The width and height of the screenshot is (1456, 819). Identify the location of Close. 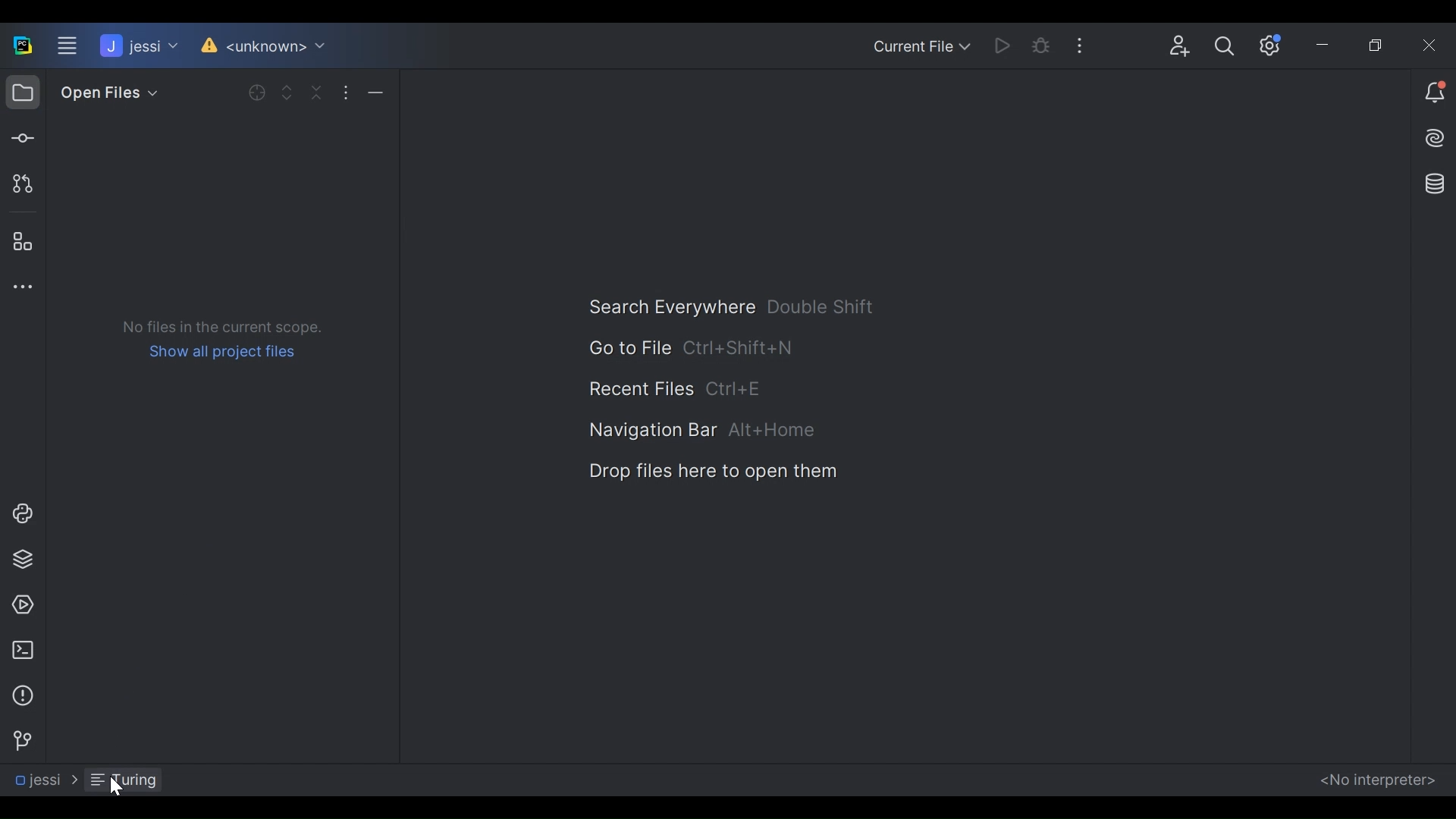
(1430, 45).